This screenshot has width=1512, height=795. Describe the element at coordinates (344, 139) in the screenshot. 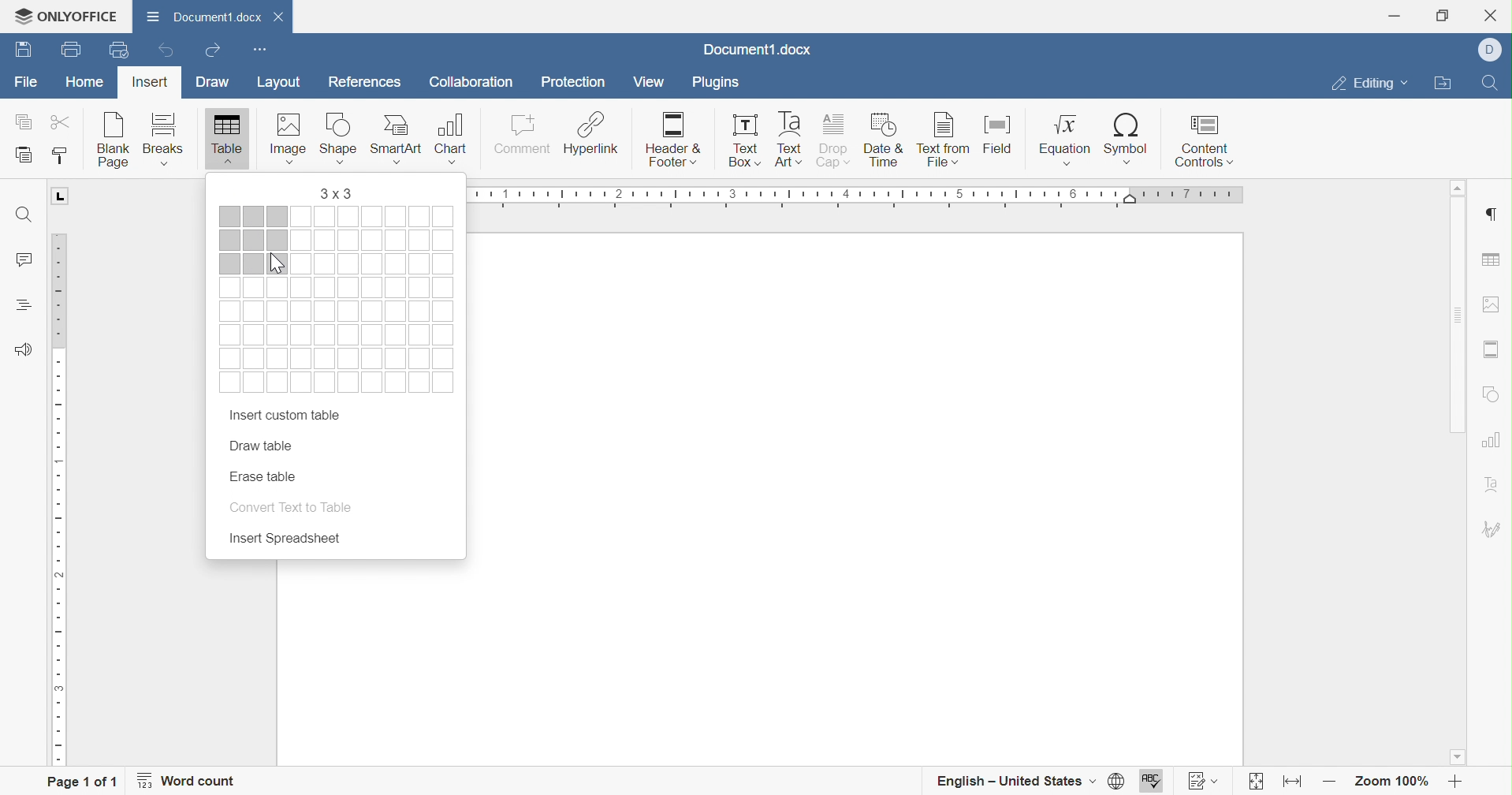

I see `Insert shape` at that location.